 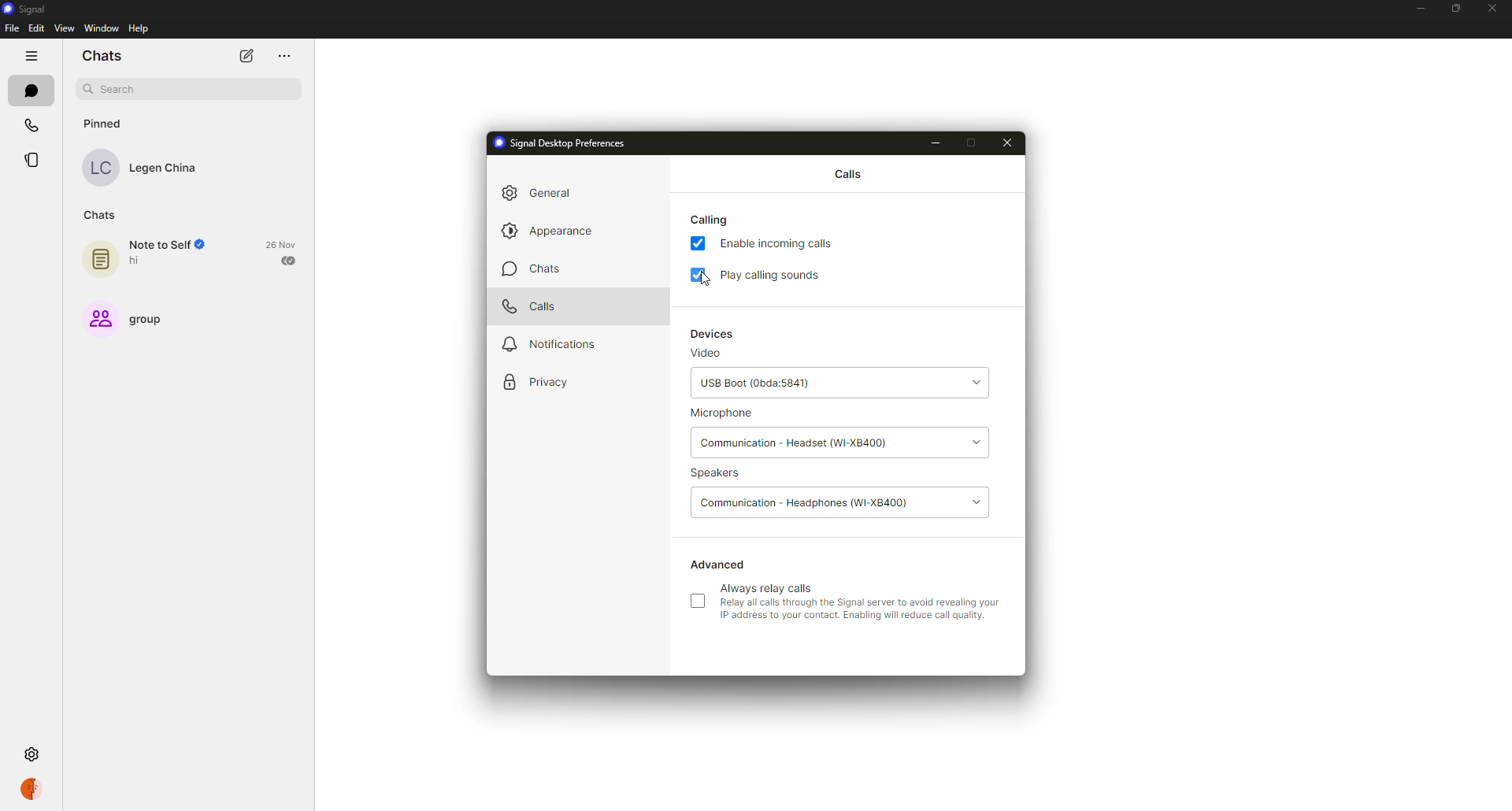 I want to click on devices, so click(x=714, y=333).